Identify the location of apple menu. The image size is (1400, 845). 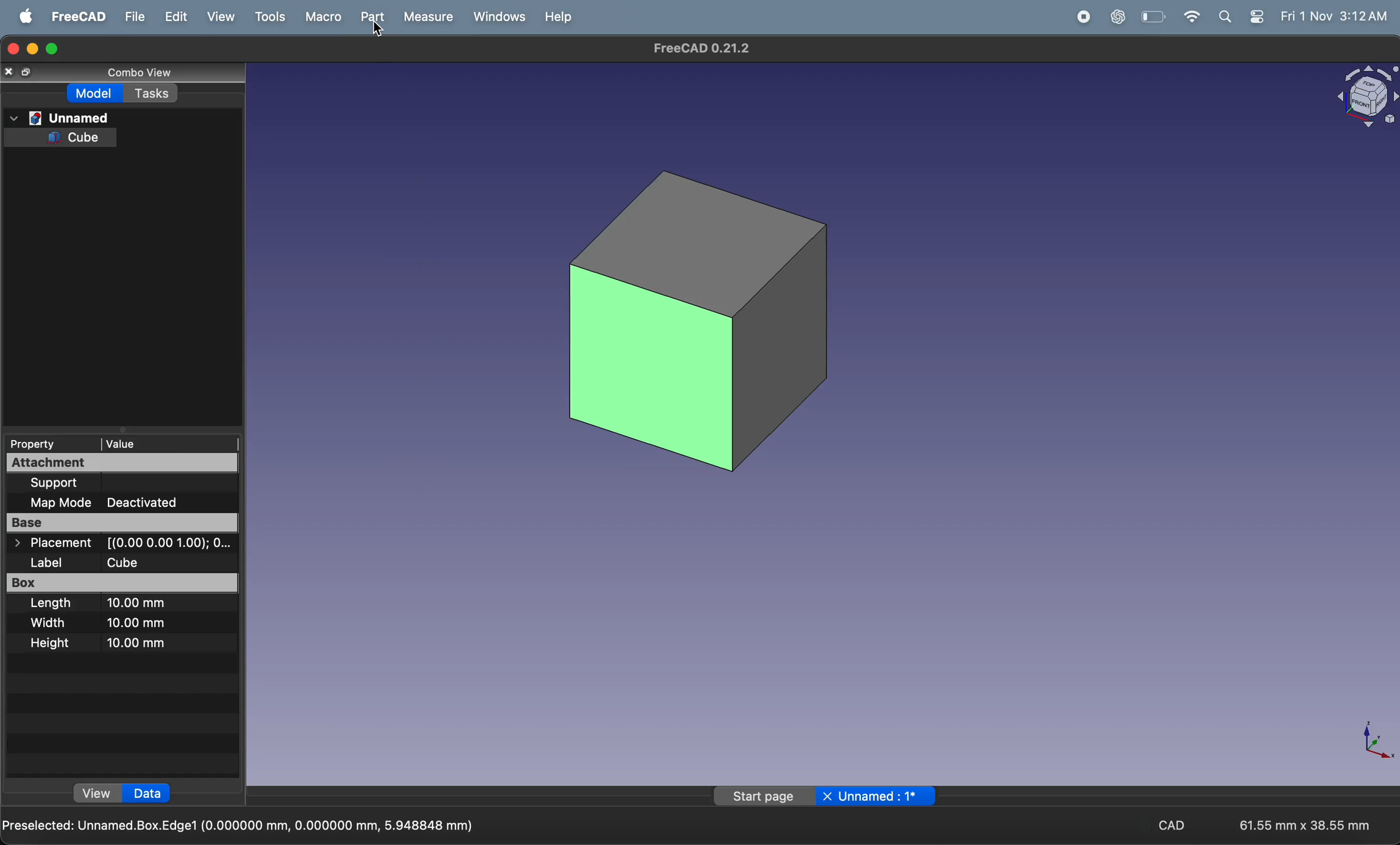
(27, 16).